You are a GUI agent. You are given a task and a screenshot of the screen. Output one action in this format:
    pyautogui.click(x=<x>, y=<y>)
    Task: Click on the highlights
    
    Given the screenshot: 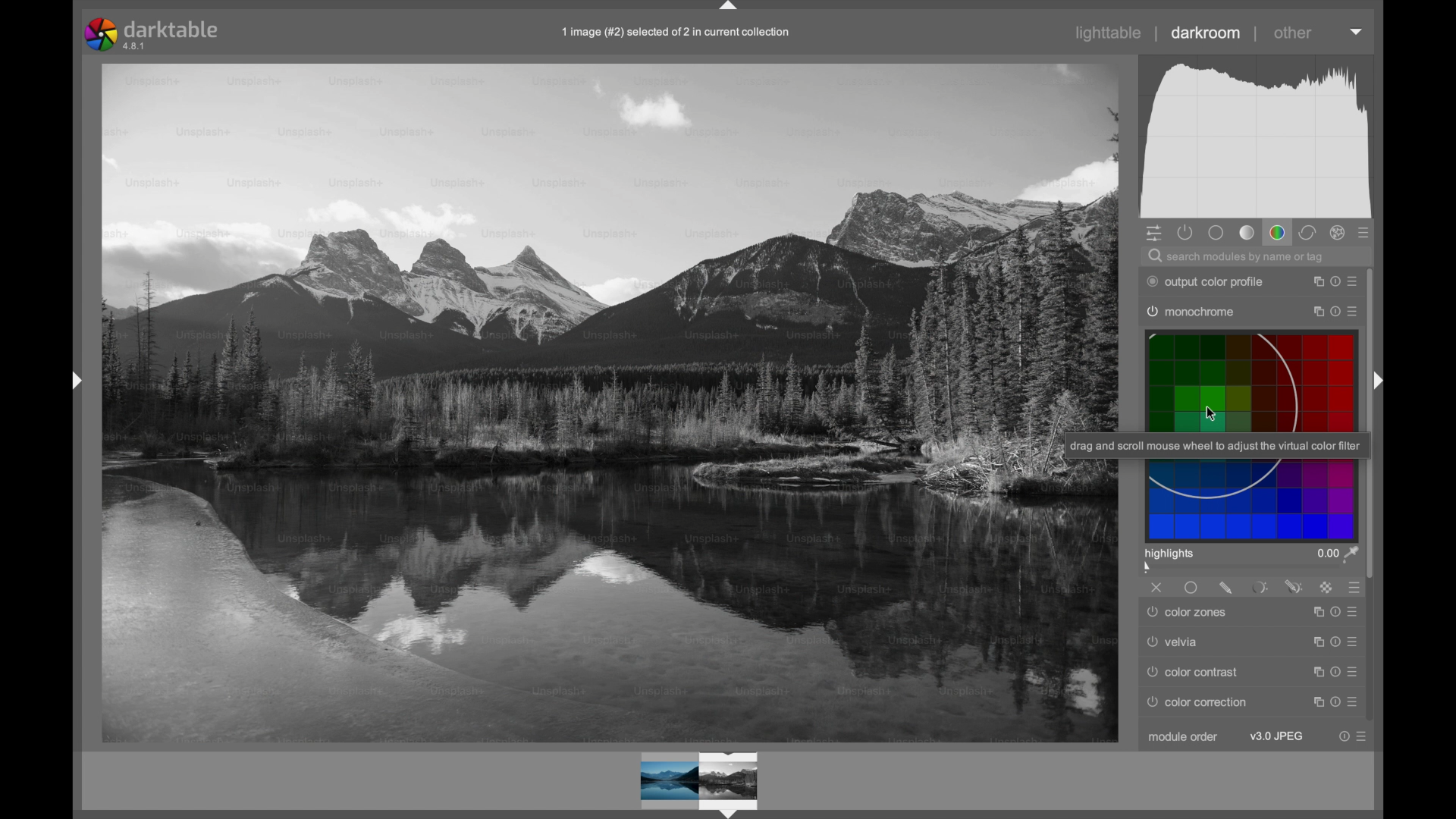 What is the action you would take?
    pyautogui.click(x=1171, y=553)
    